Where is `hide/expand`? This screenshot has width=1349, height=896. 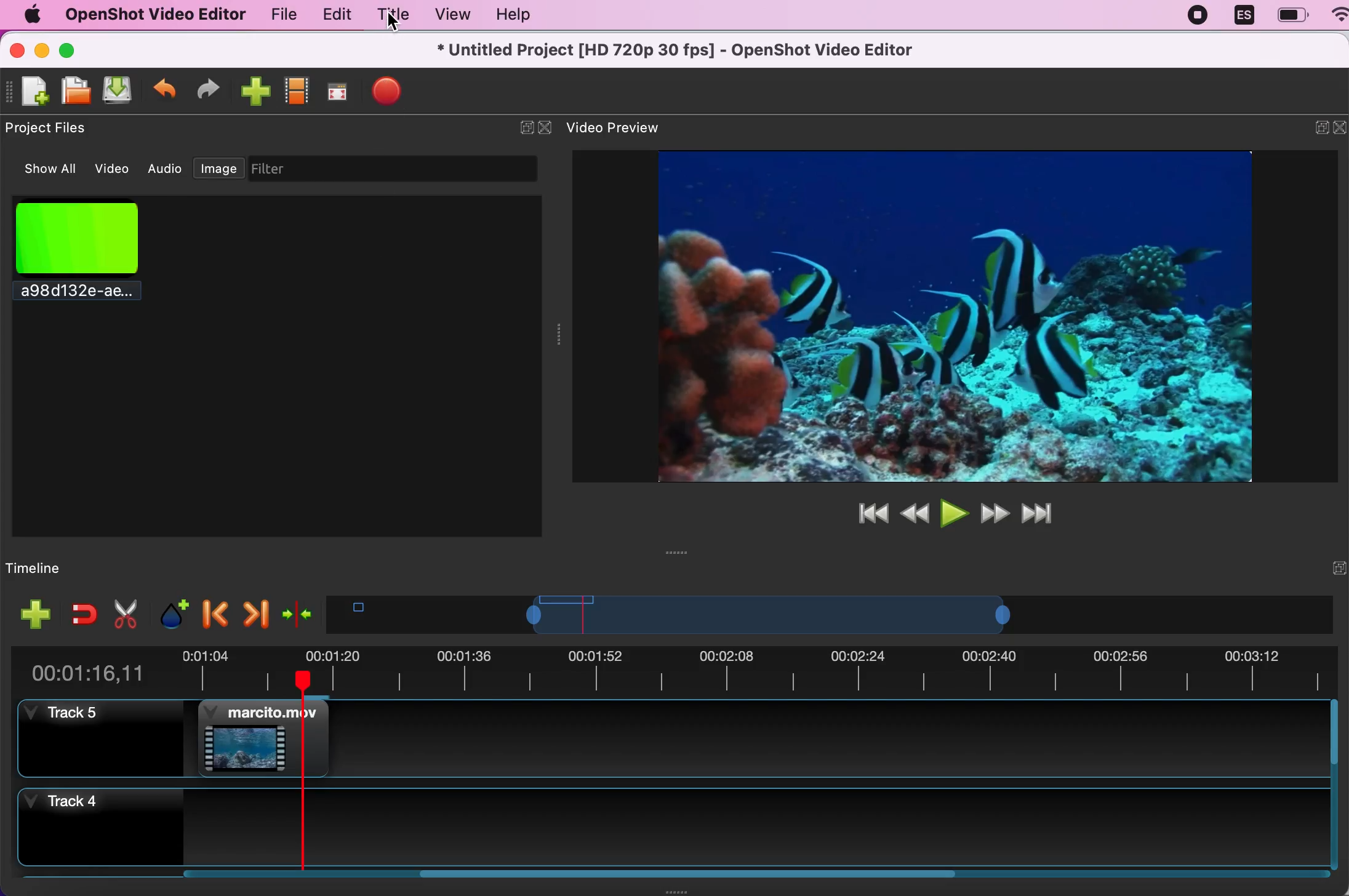
hide/expand is located at coordinates (1315, 567).